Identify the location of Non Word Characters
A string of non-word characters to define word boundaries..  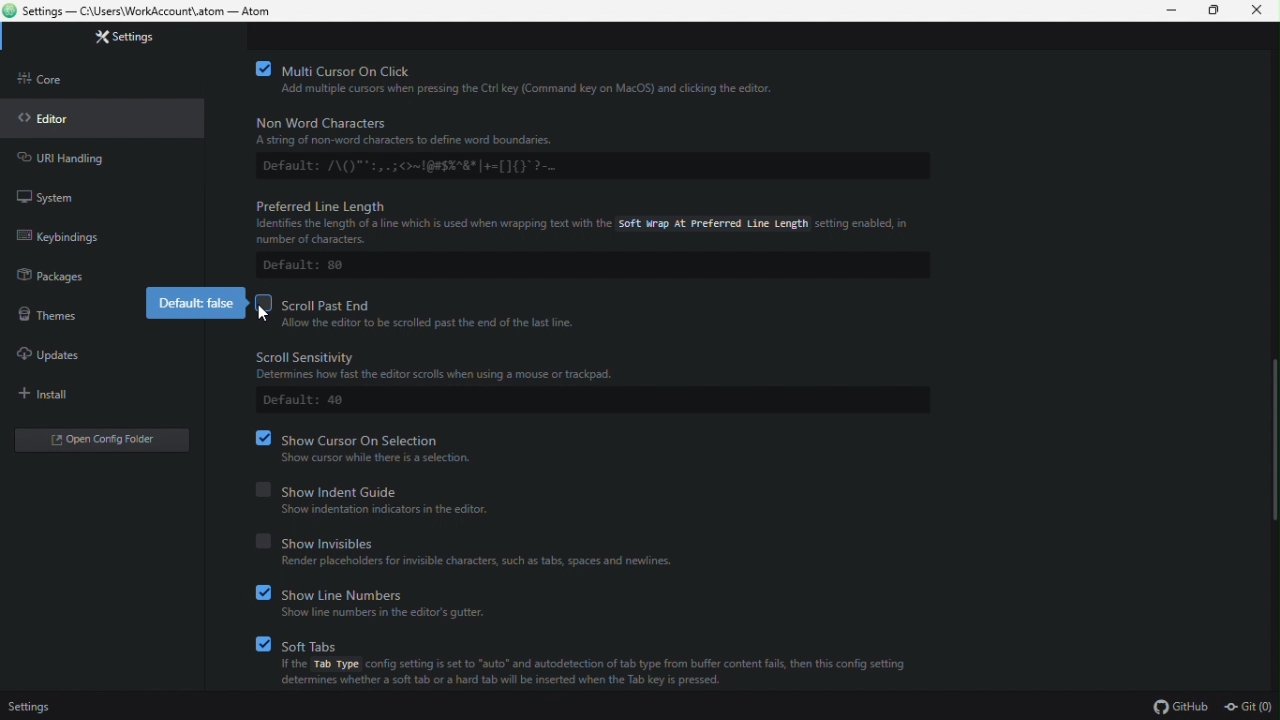
(448, 131).